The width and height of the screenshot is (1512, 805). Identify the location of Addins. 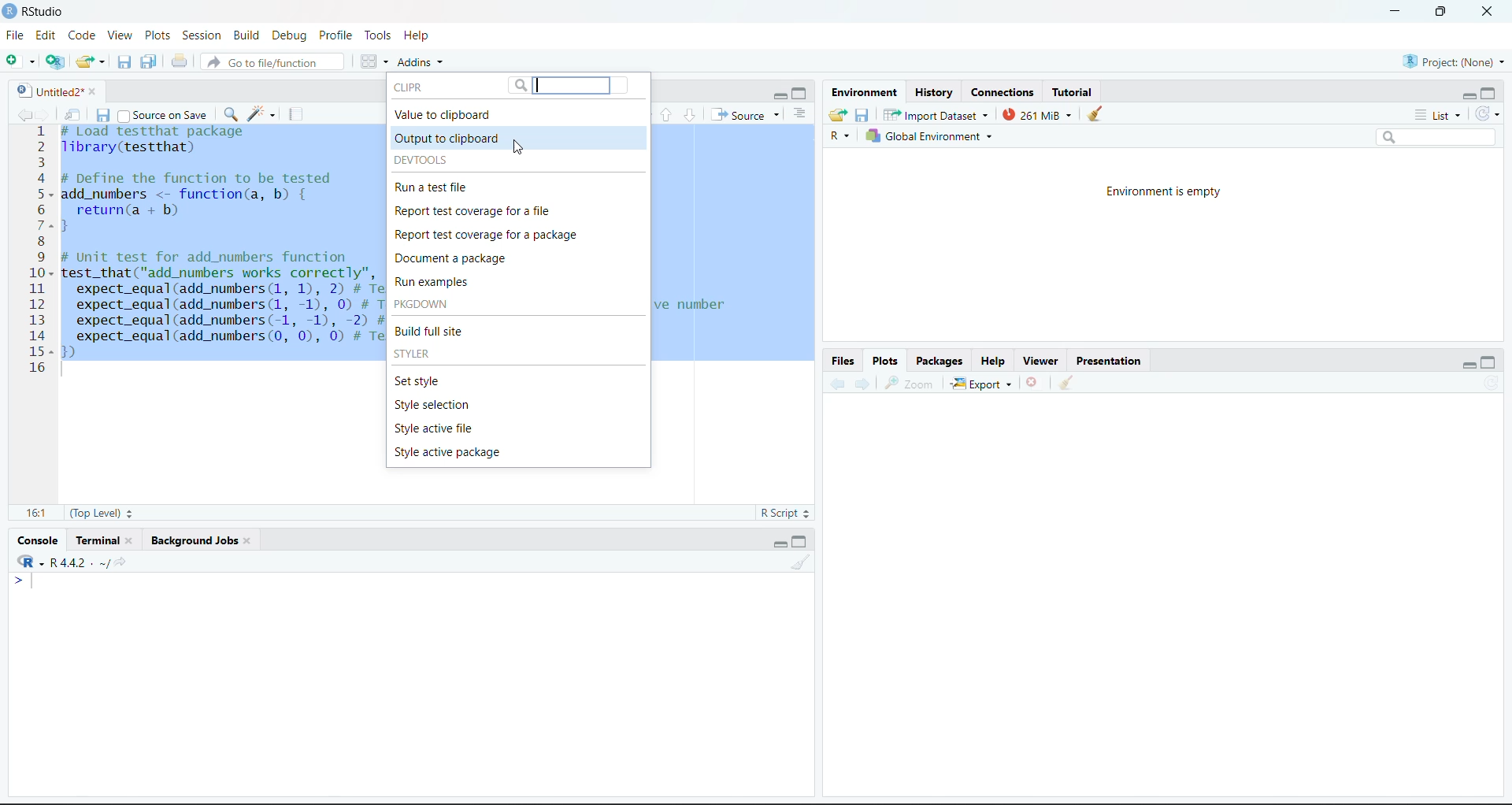
(421, 61).